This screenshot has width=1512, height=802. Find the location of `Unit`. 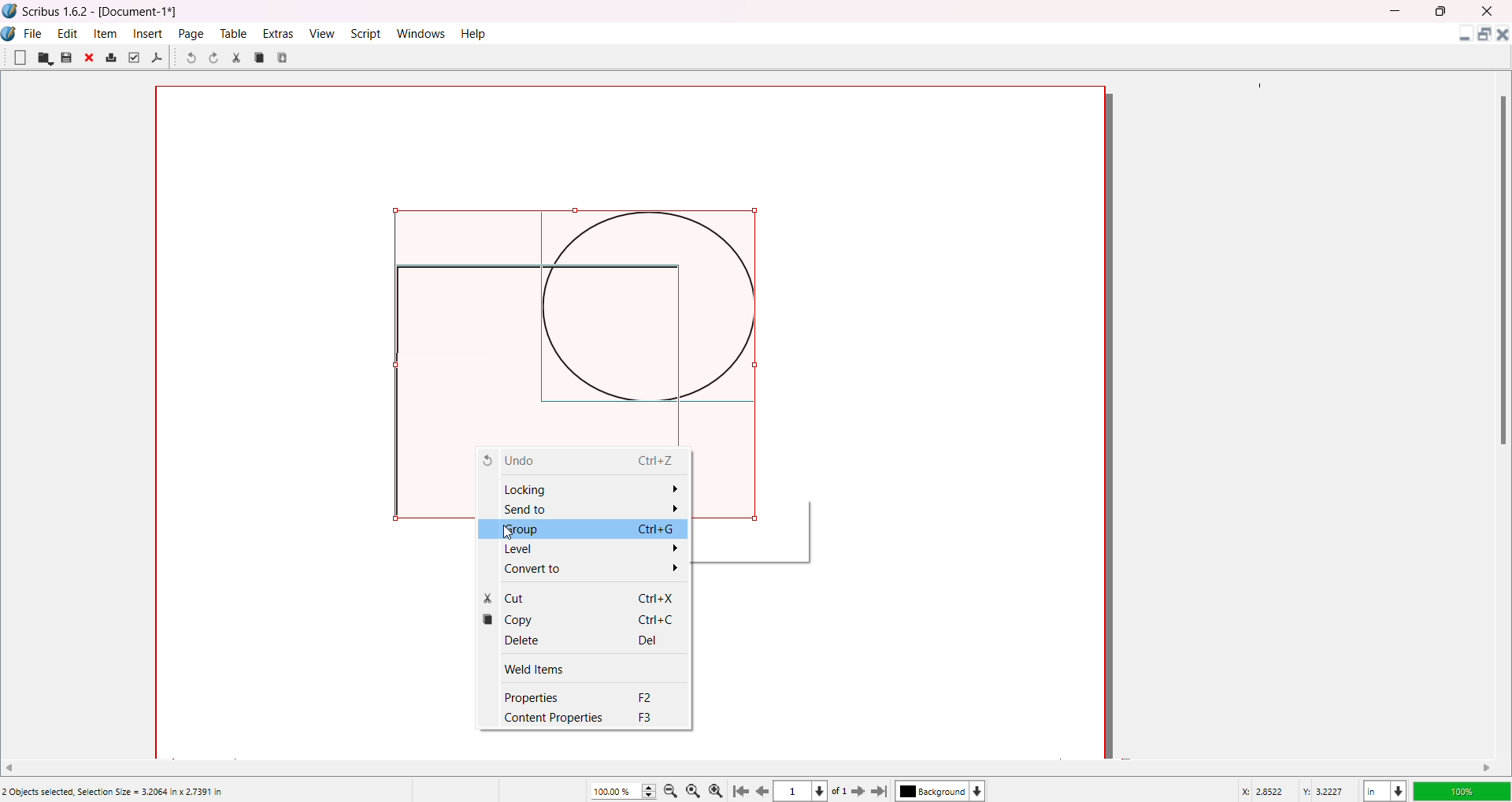

Unit is located at coordinates (1384, 789).